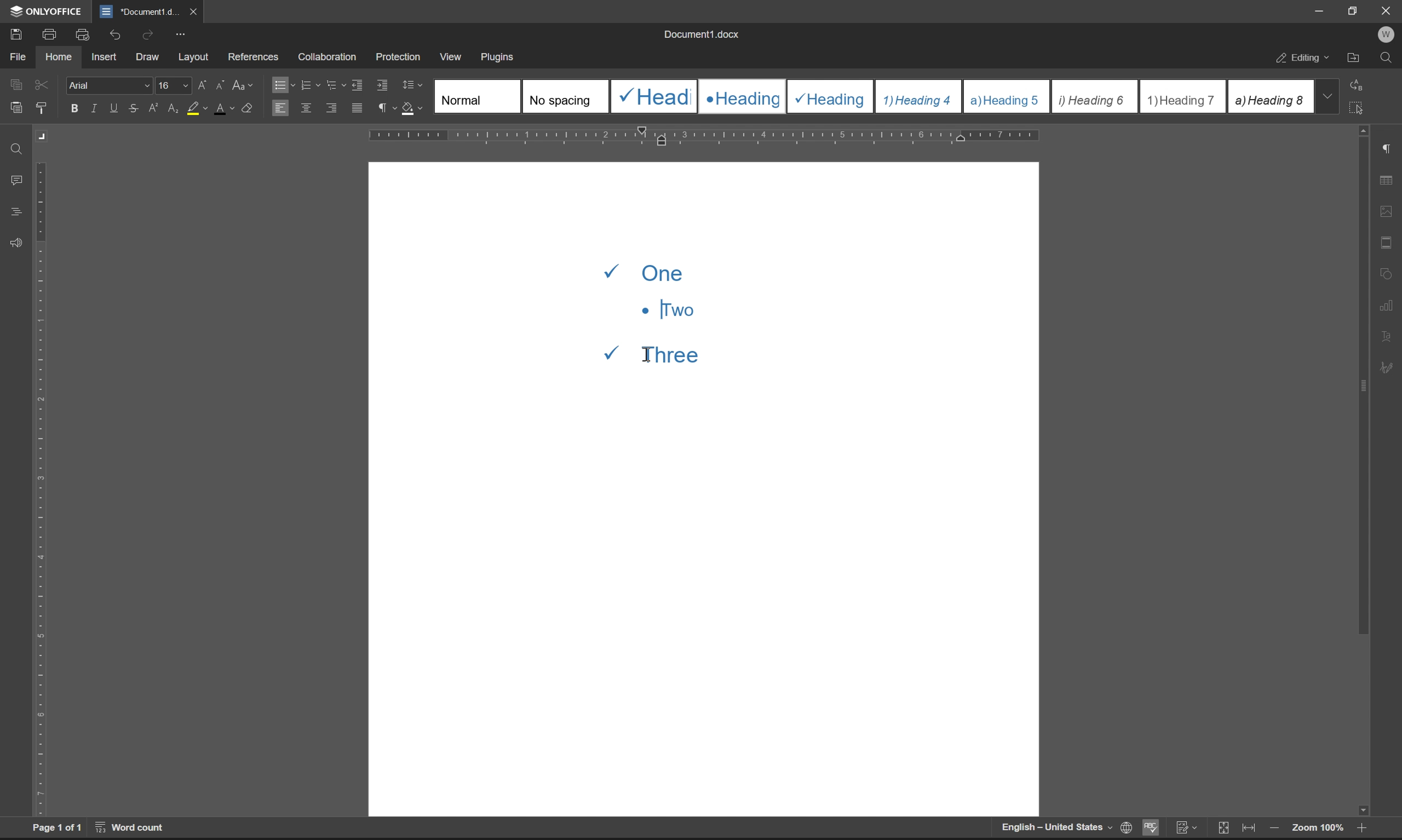  Describe the element at coordinates (650, 271) in the screenshot. I see `one` at that location.